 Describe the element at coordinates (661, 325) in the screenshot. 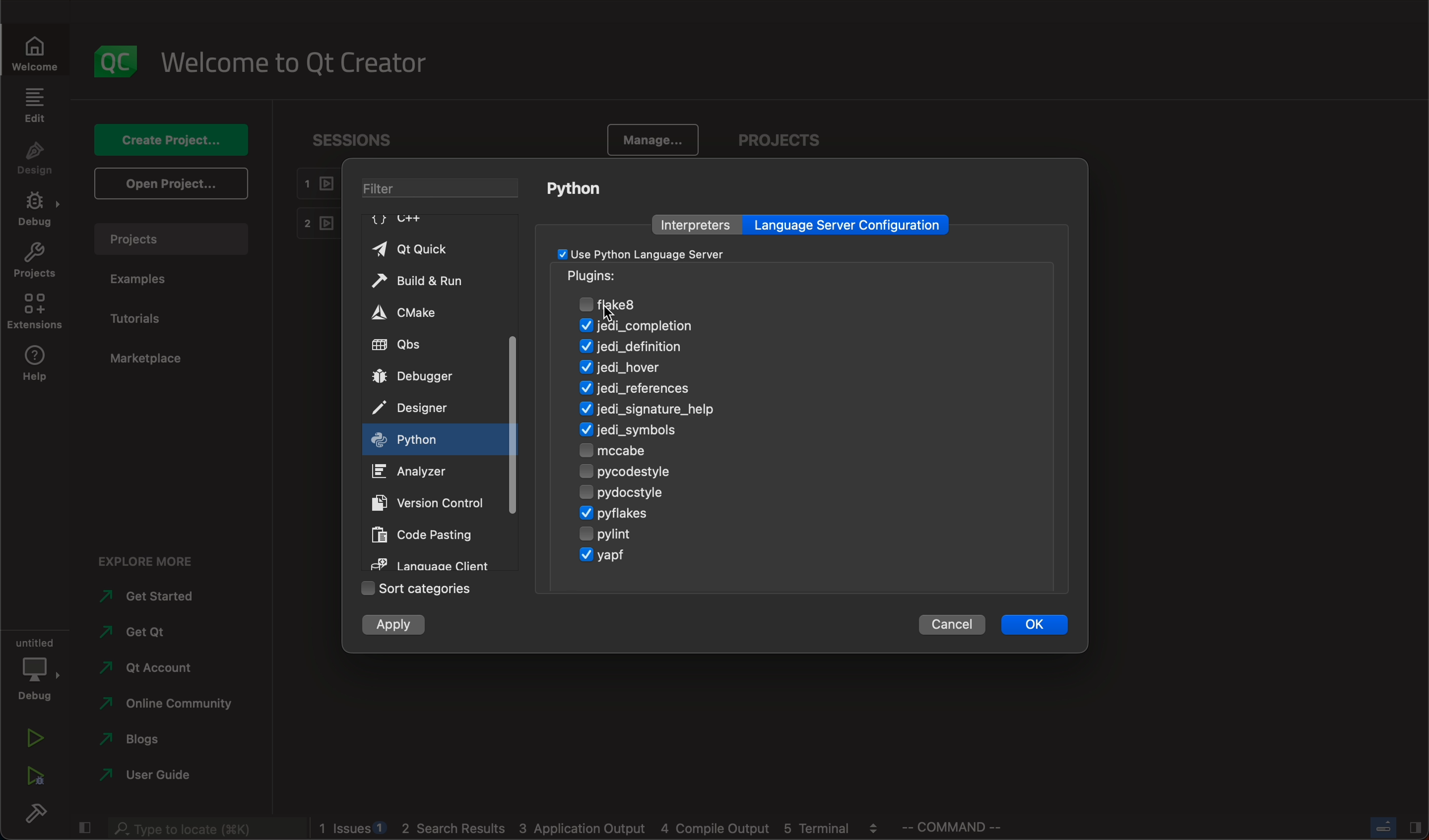

I see `jedi` at that location.